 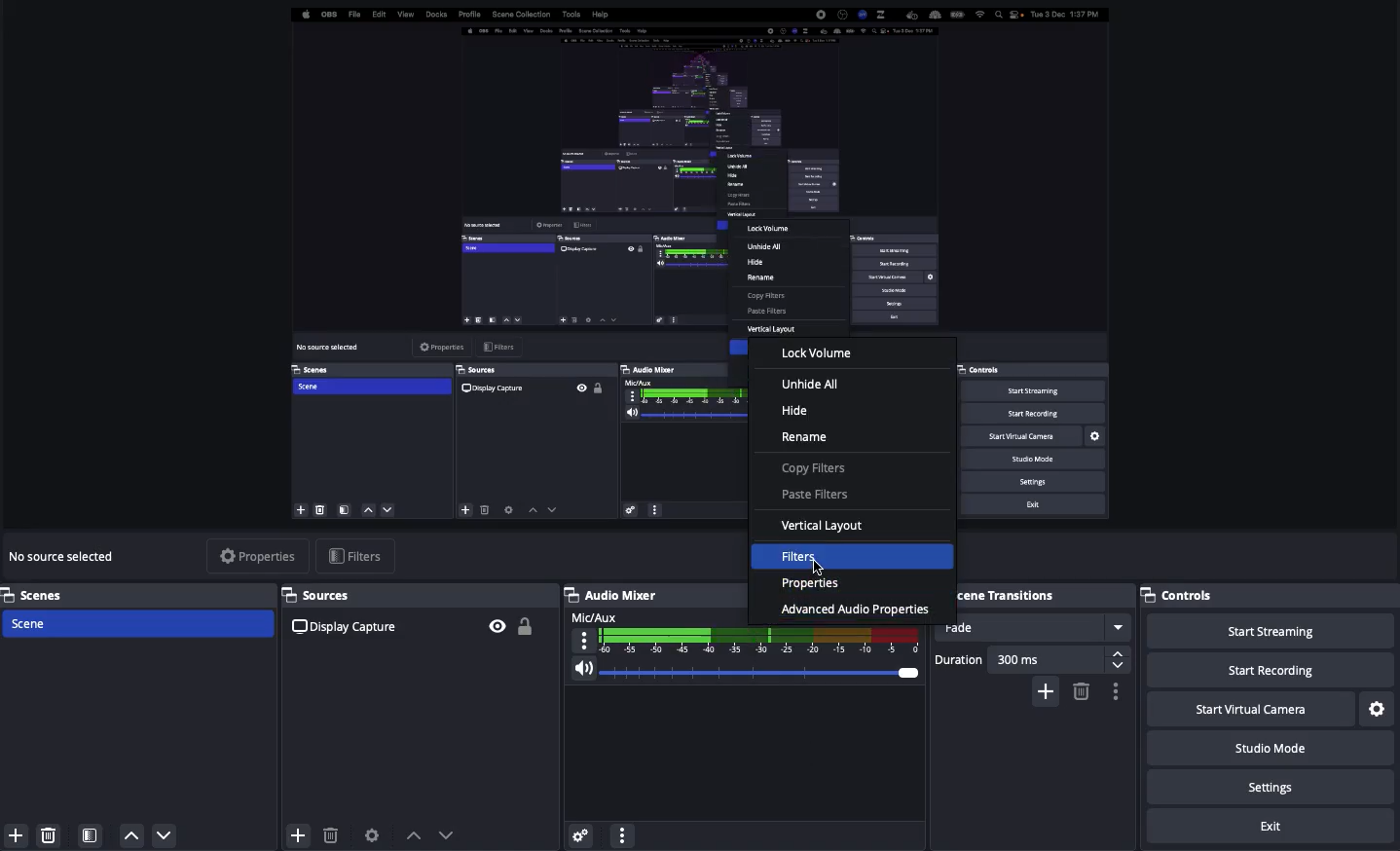 I want to click on Source preferences , so click(x=374, y=833).